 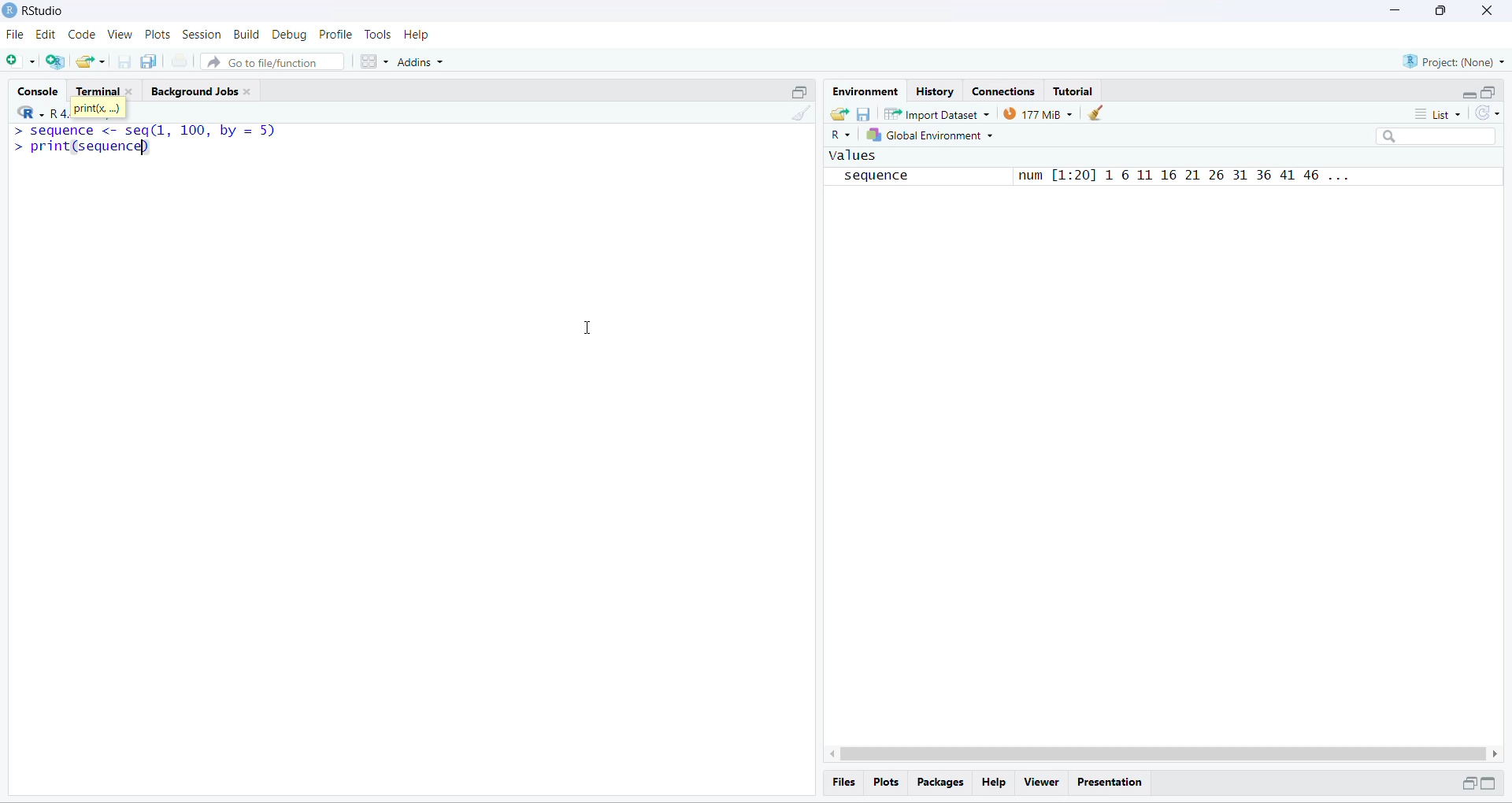 I want to click on help, so click(x=995, y=783).